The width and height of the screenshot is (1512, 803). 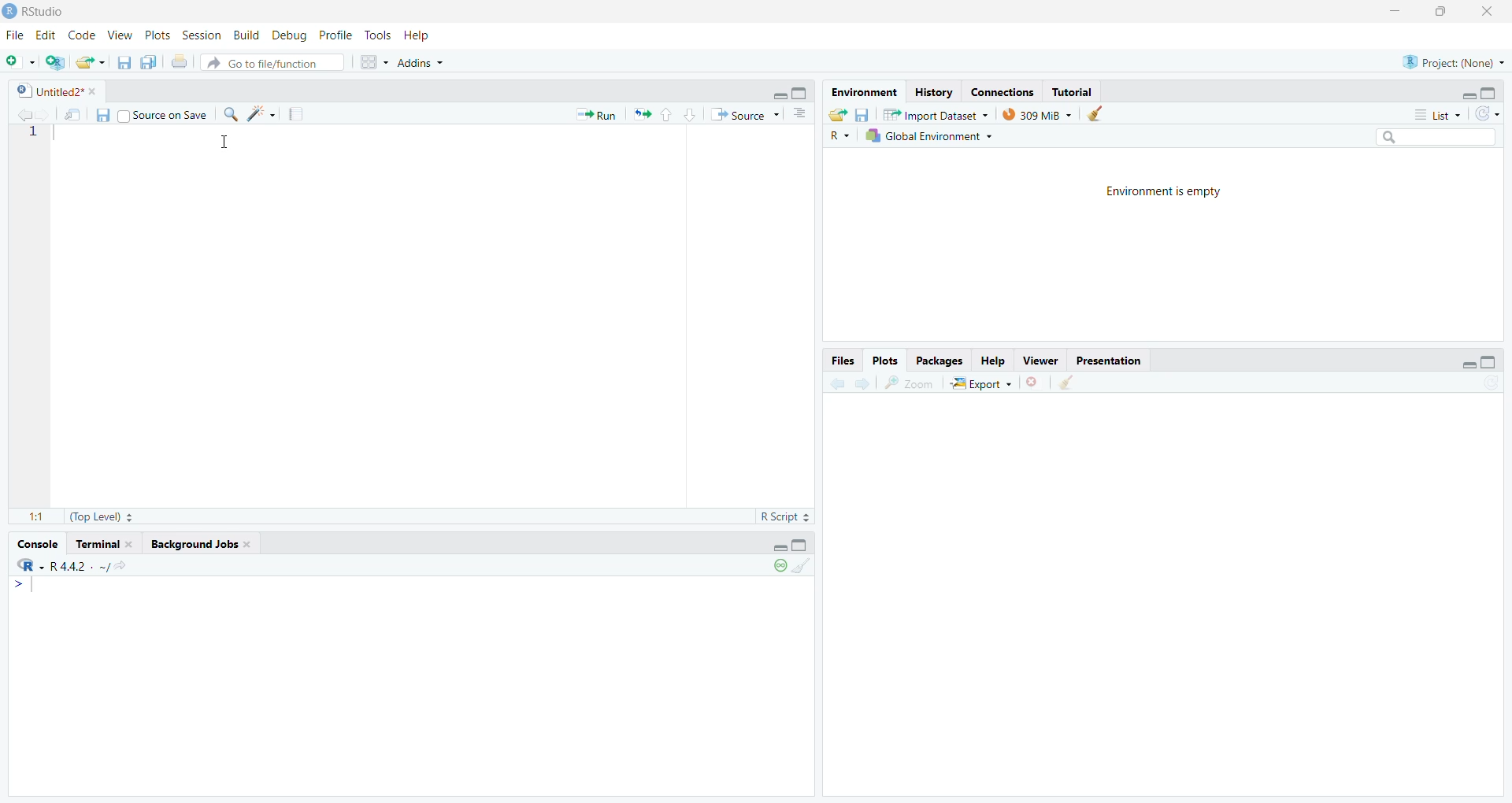 What do you see at coordinates (167, 116) in the screenshot?
I see `Source on Save` at bounding box center [167, 116].